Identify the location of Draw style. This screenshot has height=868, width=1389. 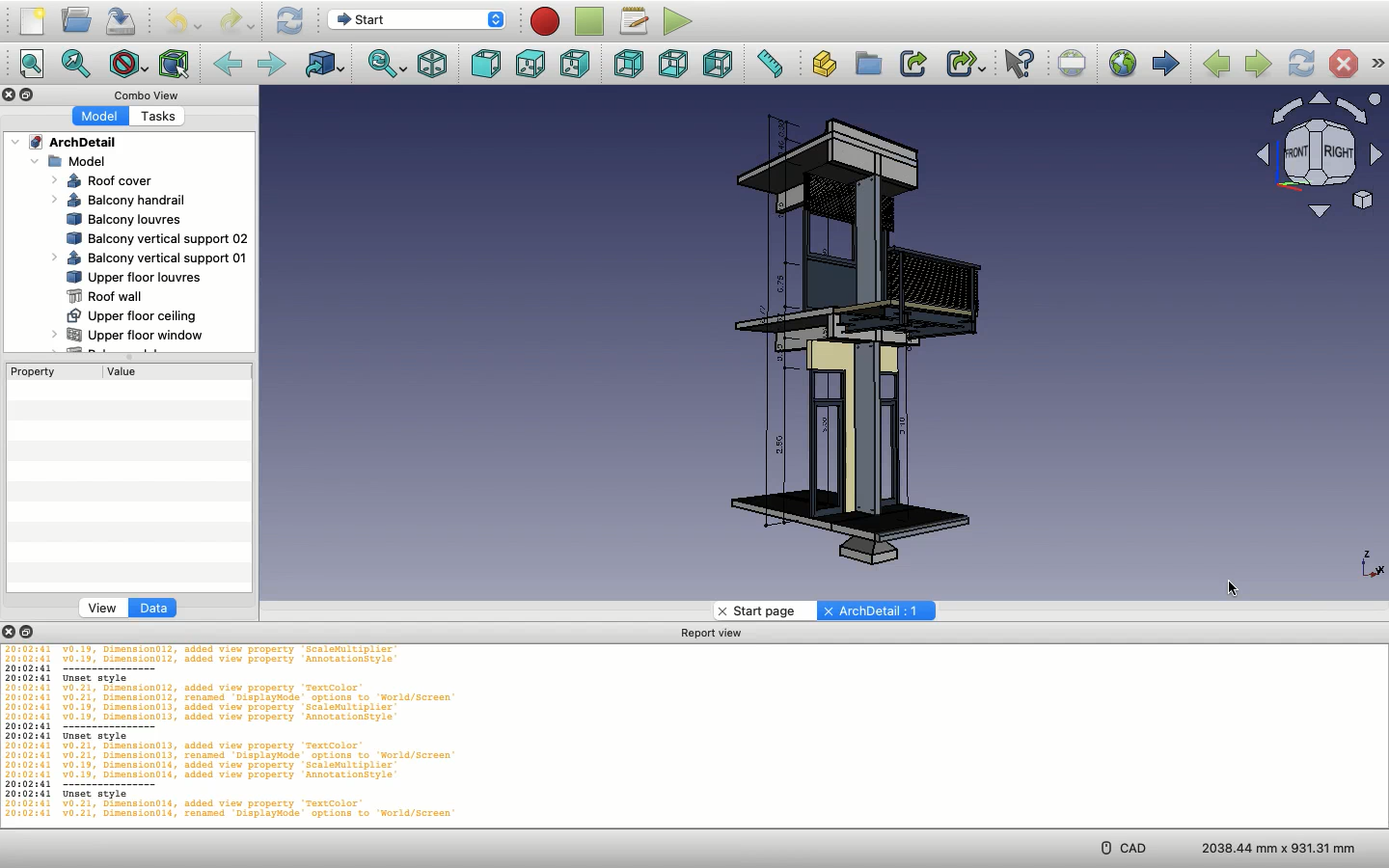
(126, 63).